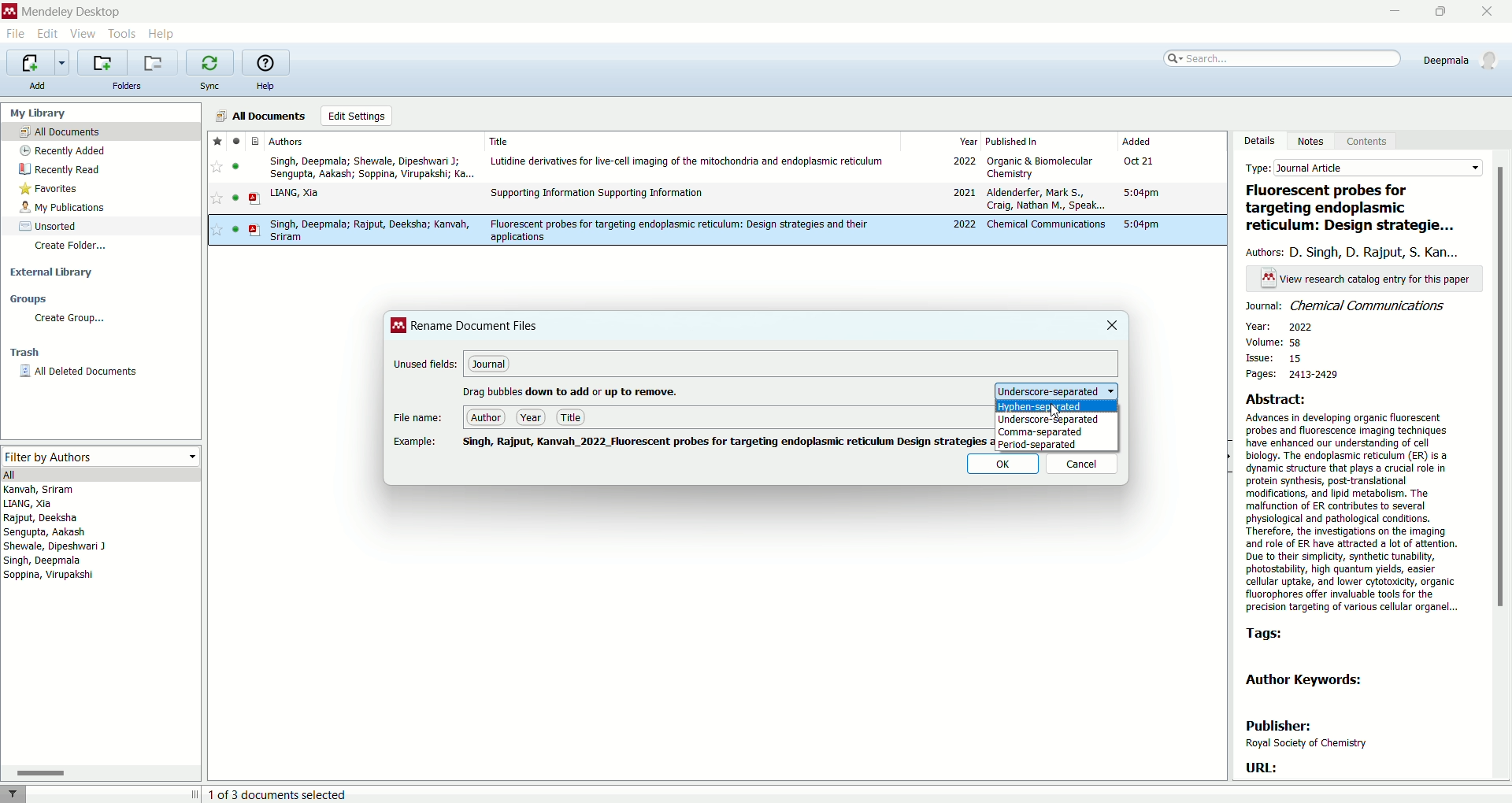  What do you see at coordinates (1044, 224) in the screenshot?
I see `Chemical communications` at bounding box center [1044, 224].